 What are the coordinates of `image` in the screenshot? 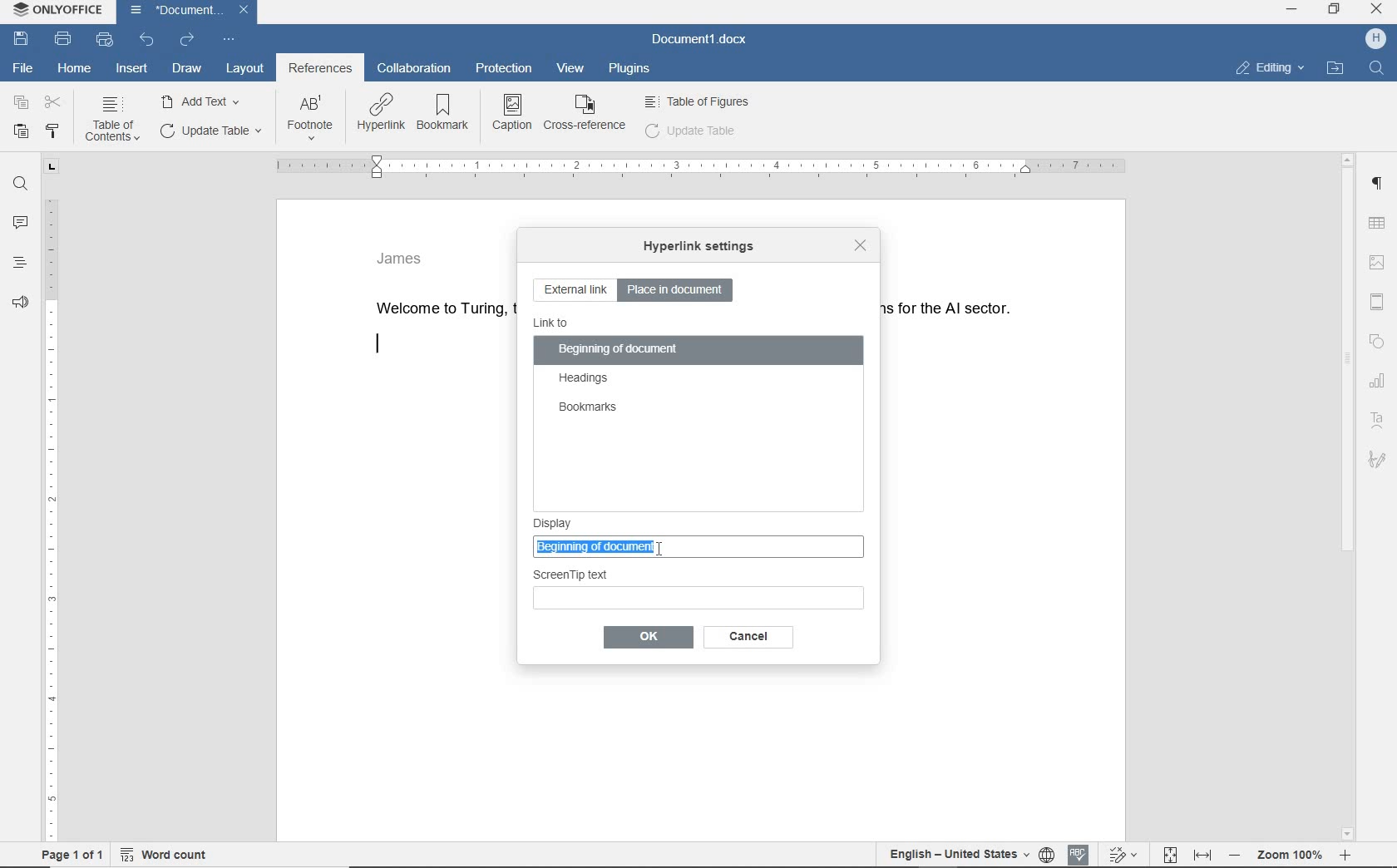 It's located at (1380, 259).